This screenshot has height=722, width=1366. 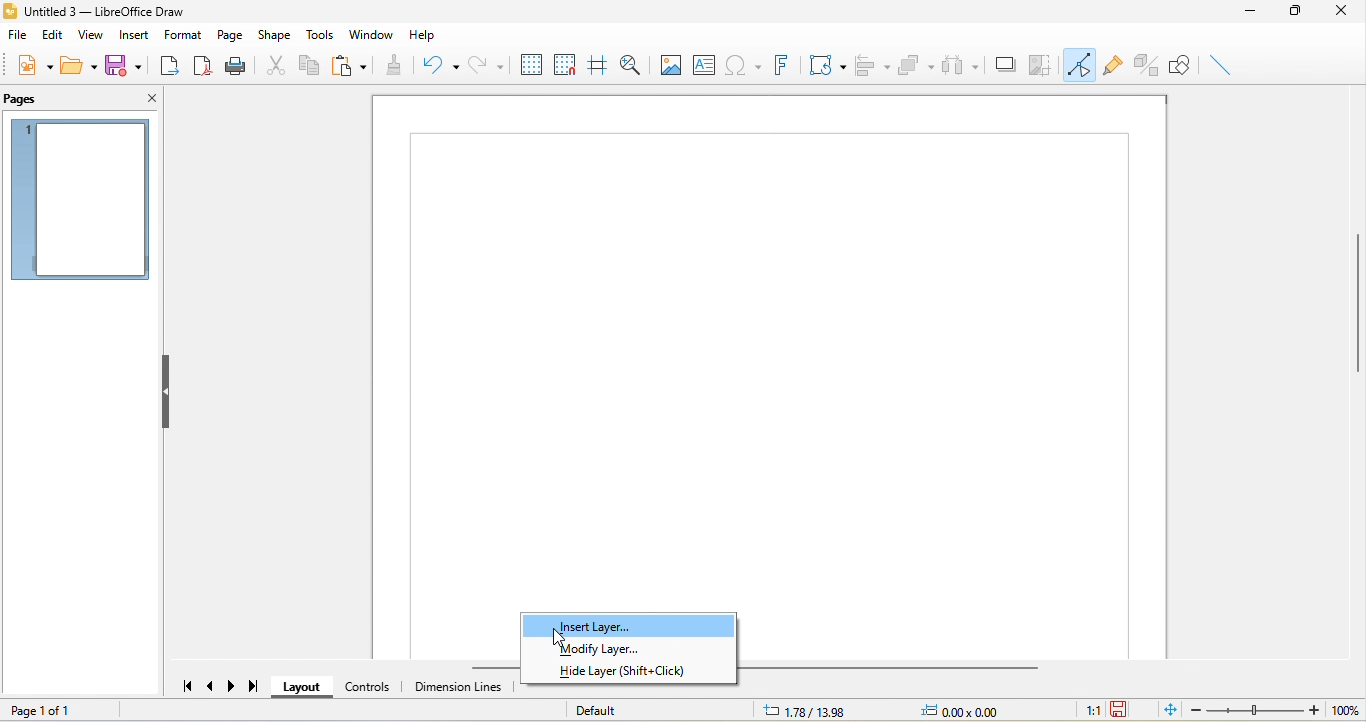 What do you see at coordinates (558, 638) in the screenshot?
I see `cursor ` at bounding box center [558, 638].